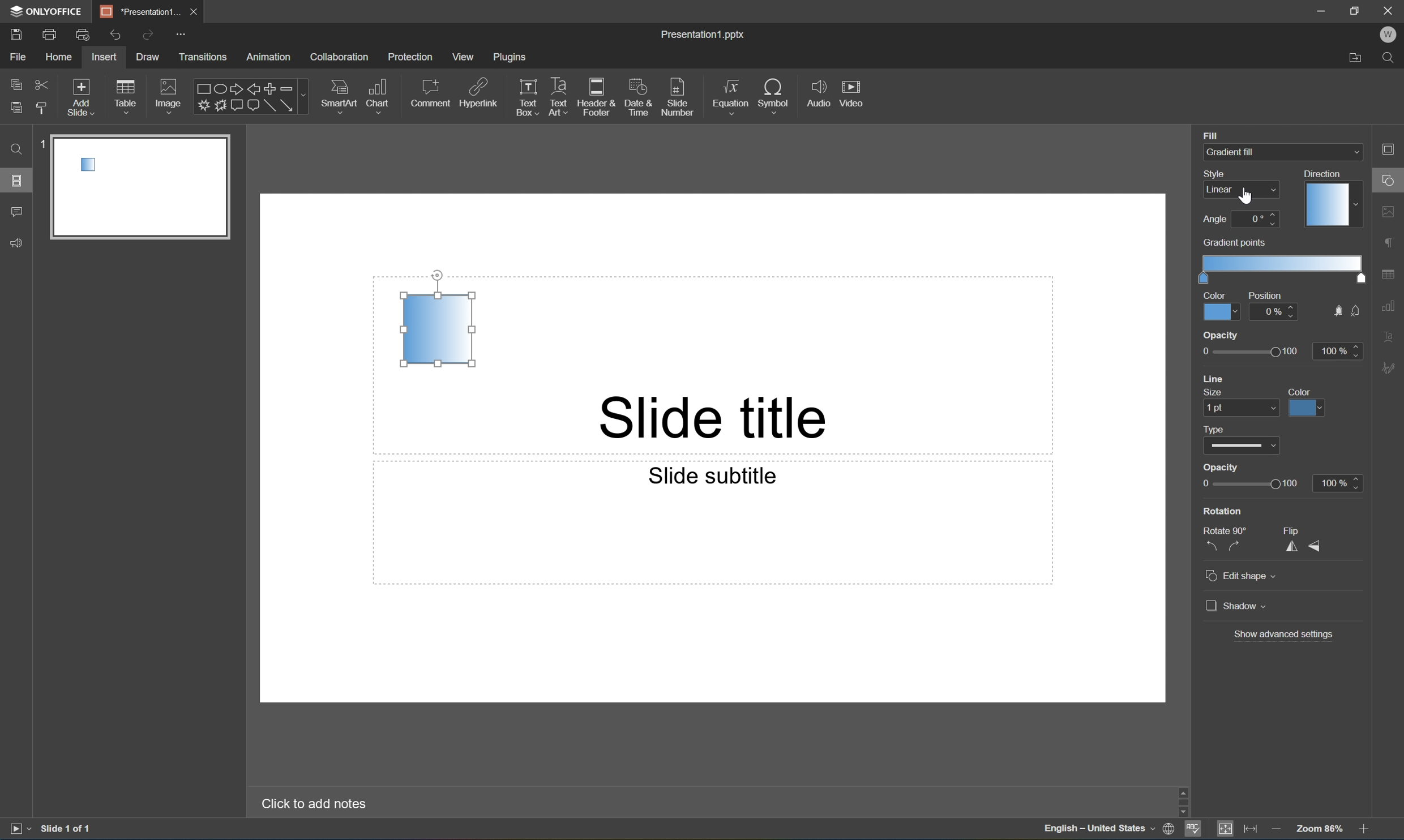 This screenshot has width=1404, height=840. I want to click on Left arrow, so click(254, 90).